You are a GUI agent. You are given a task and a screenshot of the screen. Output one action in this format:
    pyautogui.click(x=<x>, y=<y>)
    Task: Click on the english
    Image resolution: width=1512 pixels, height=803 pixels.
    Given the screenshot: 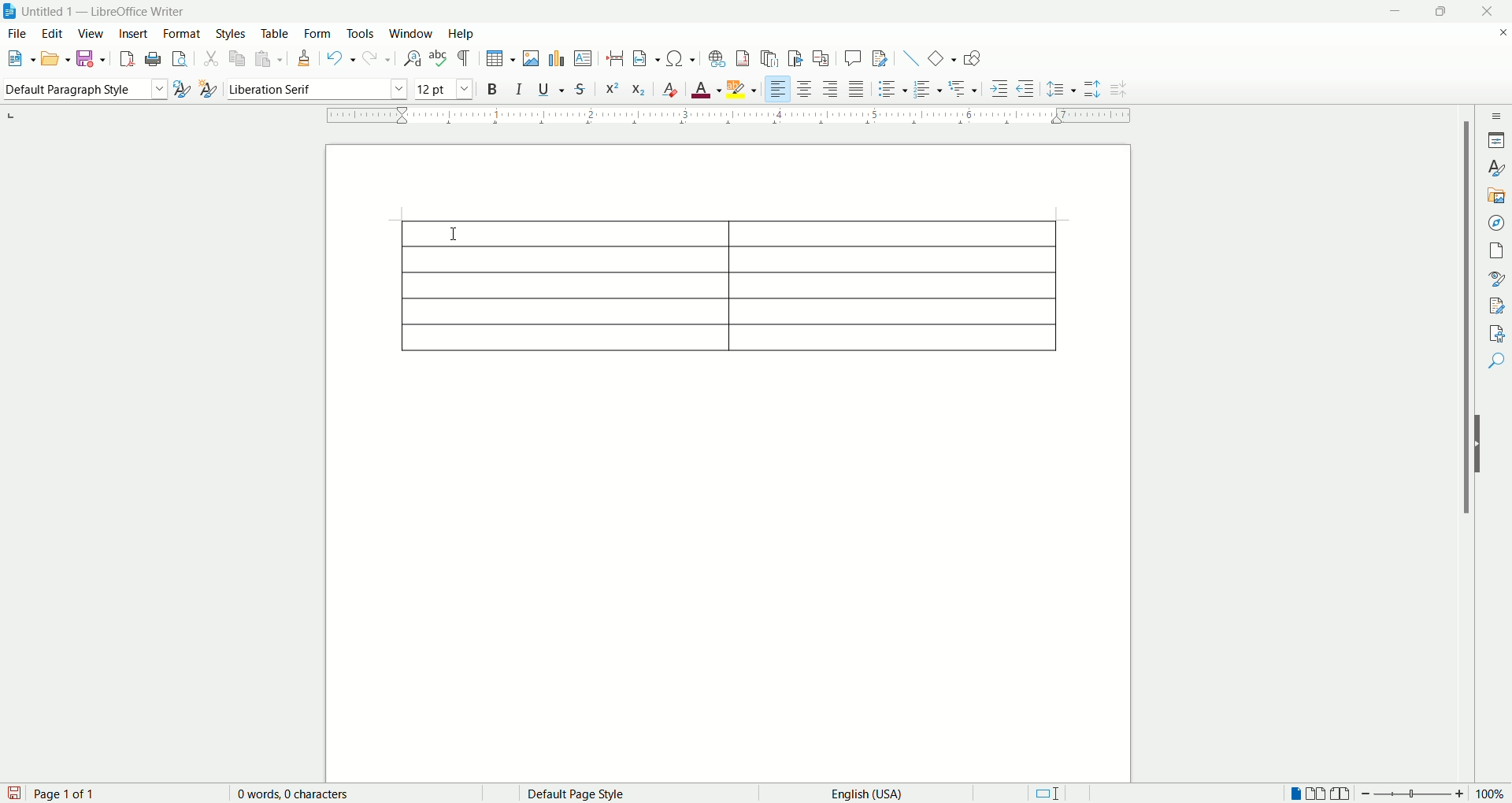 What is the action you would take?
    pyautogui.click(x=891, y=794)
    